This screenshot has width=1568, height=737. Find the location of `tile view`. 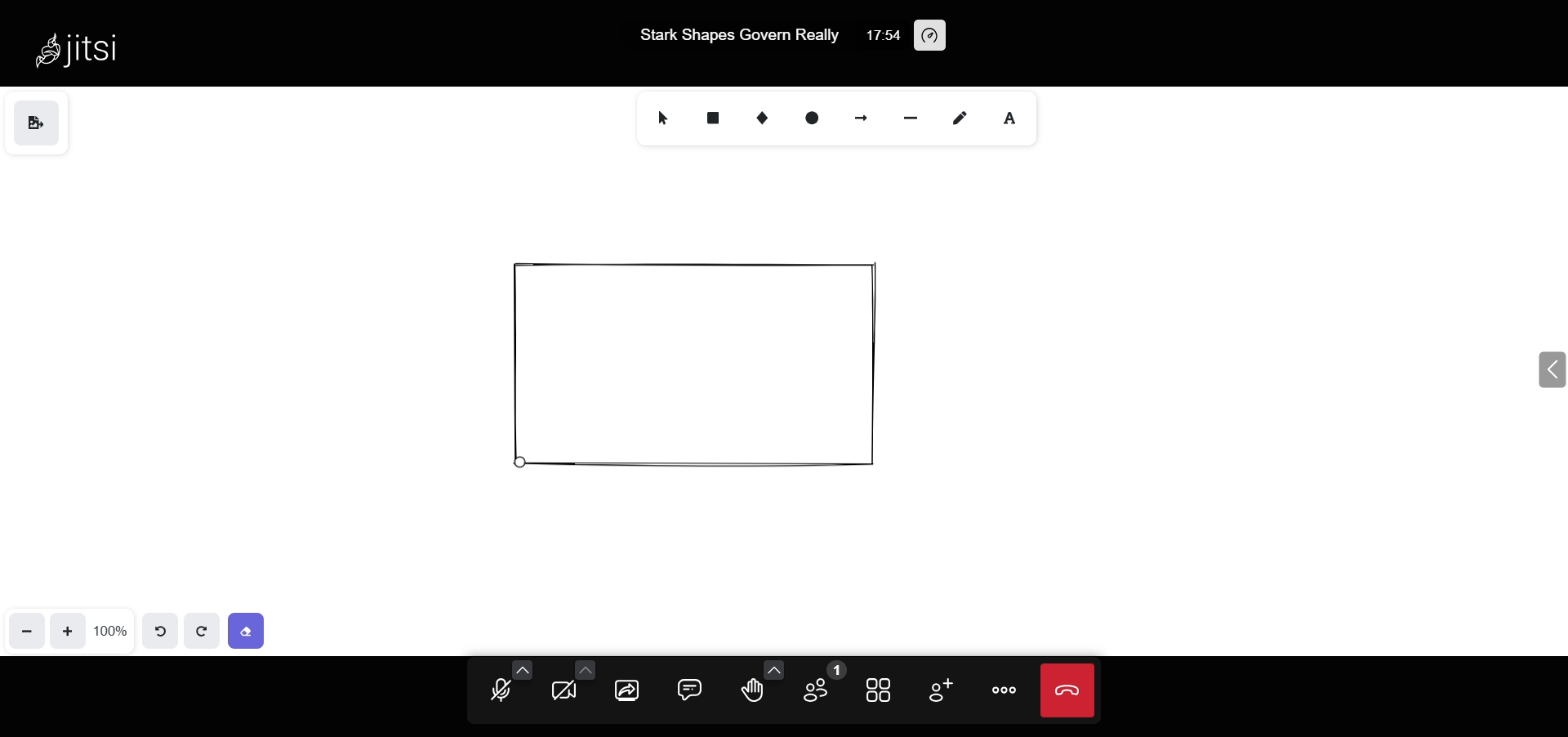

tile view is located at coordinates (878, 687).